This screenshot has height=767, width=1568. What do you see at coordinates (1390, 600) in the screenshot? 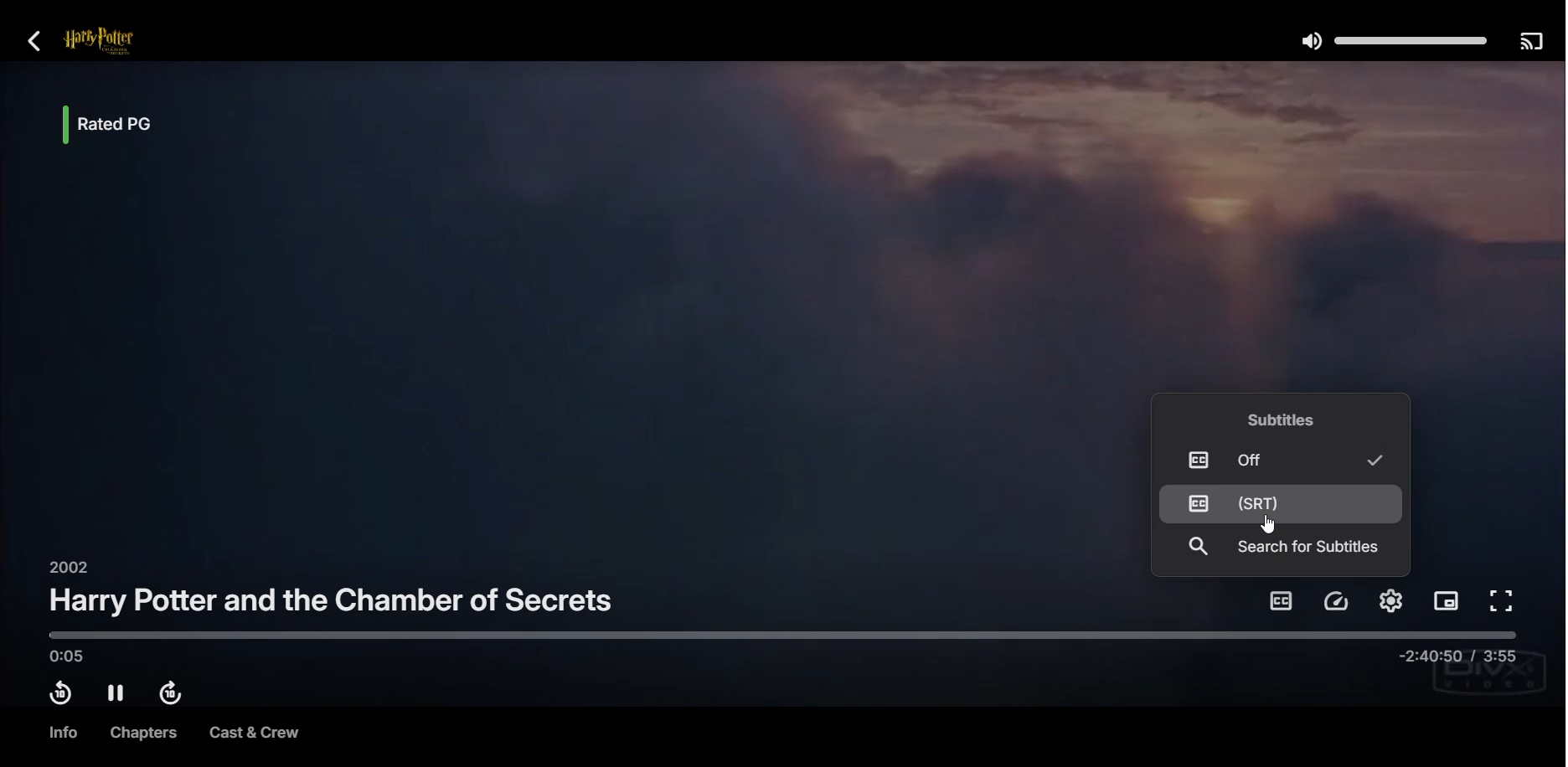
I see `Settings` at bounding box center [1390, 600].